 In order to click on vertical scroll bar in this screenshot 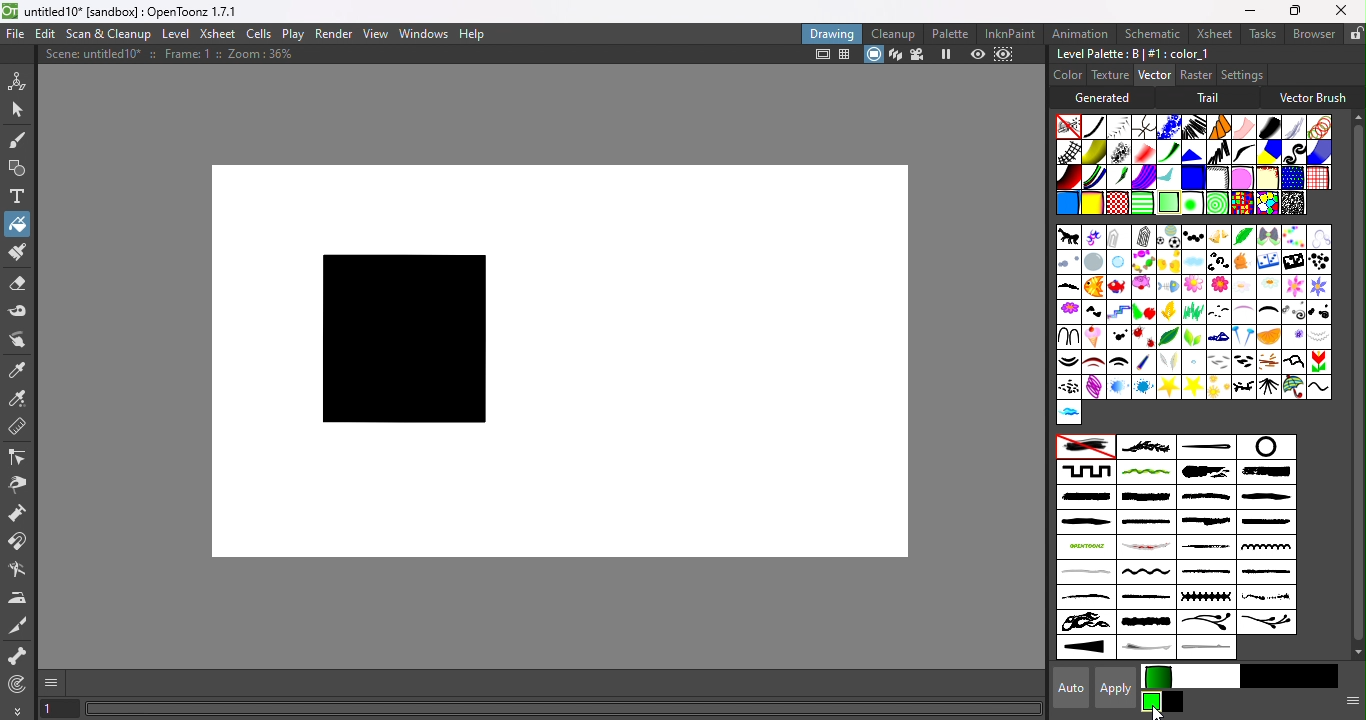, I will do `click(1353, 385)`.